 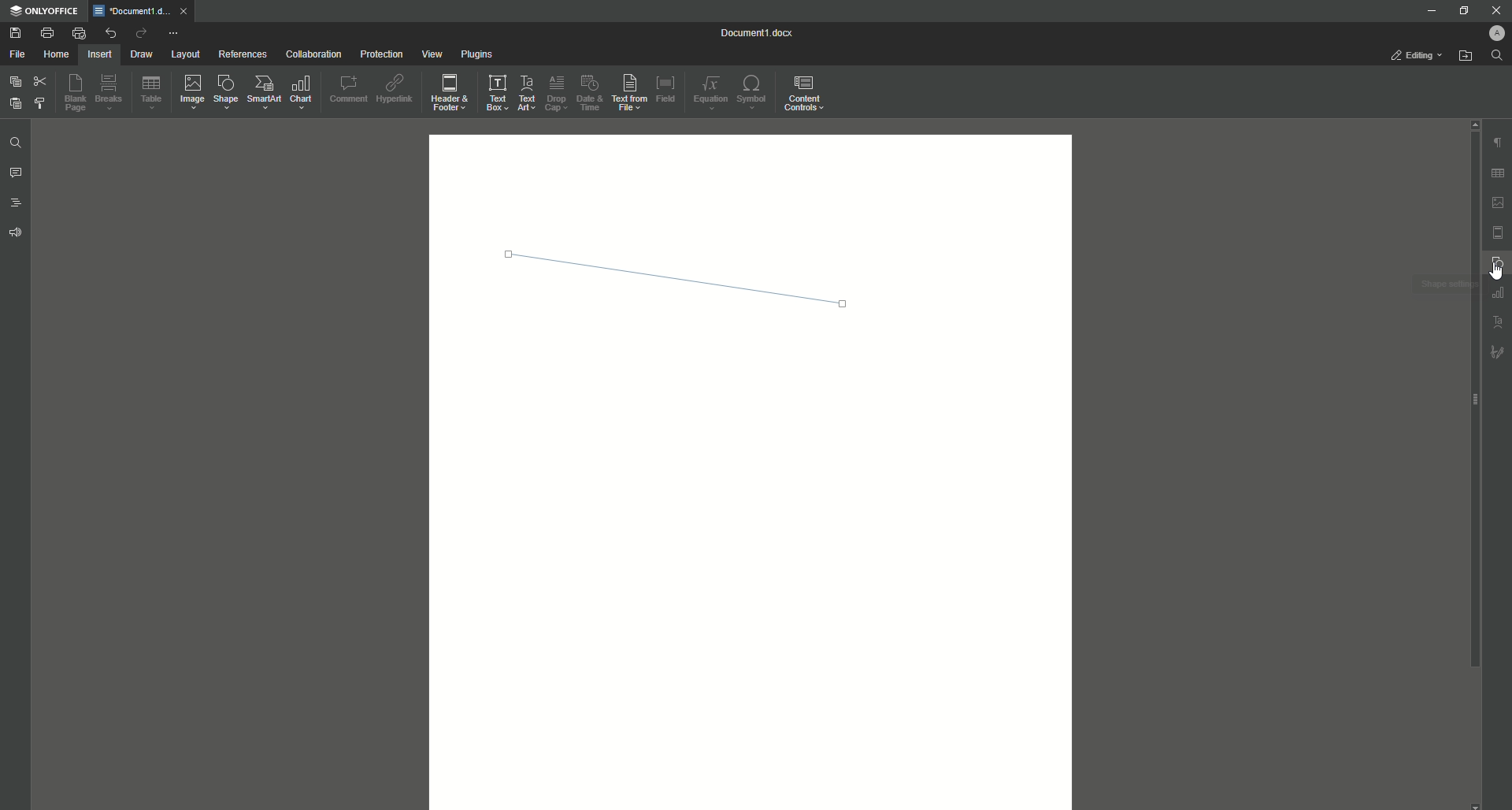 What do you see at coordinates (348, 88) in the screenshot?
I see `Comment` at bounding box center [348, 88].